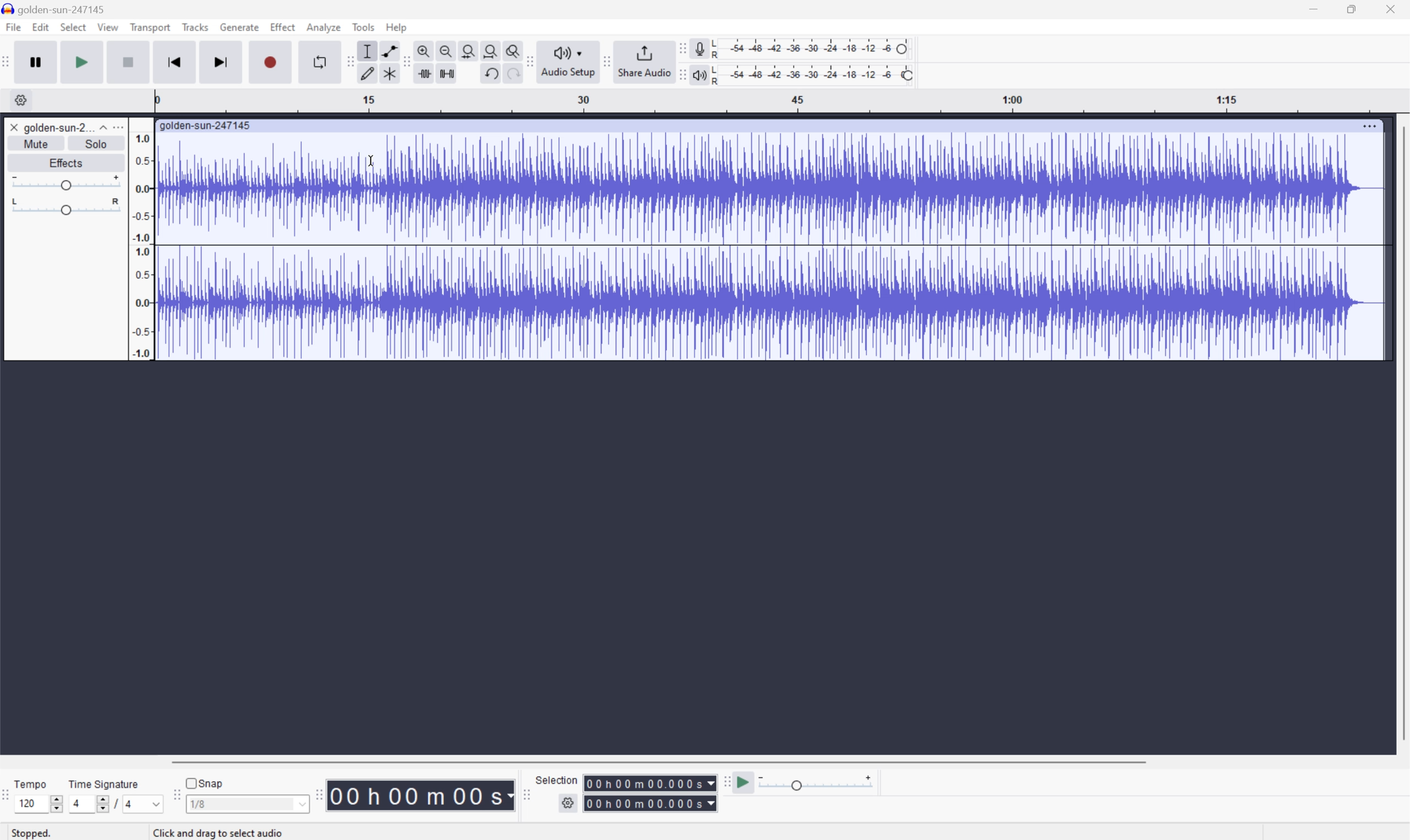  What do you see at coordinates (315, 792) in the screenshot?
I see `Audacity Time toolbar` at bounding box center [315, 792].